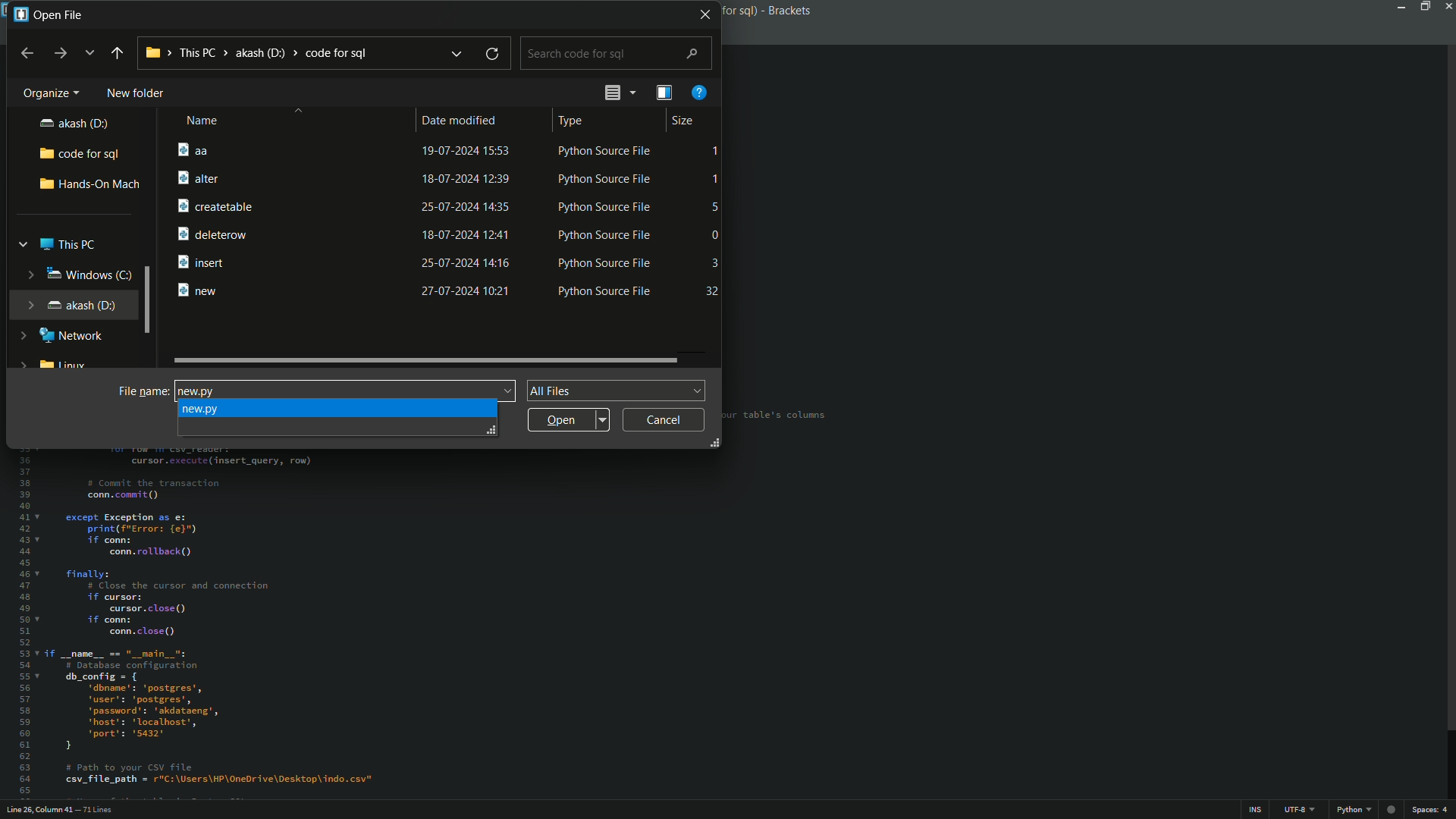 This screenshot has height=819, width=1456. What do you see at coordinates (570, 419) in the screenshot?
I see `open` at bounding box center [570, 419].